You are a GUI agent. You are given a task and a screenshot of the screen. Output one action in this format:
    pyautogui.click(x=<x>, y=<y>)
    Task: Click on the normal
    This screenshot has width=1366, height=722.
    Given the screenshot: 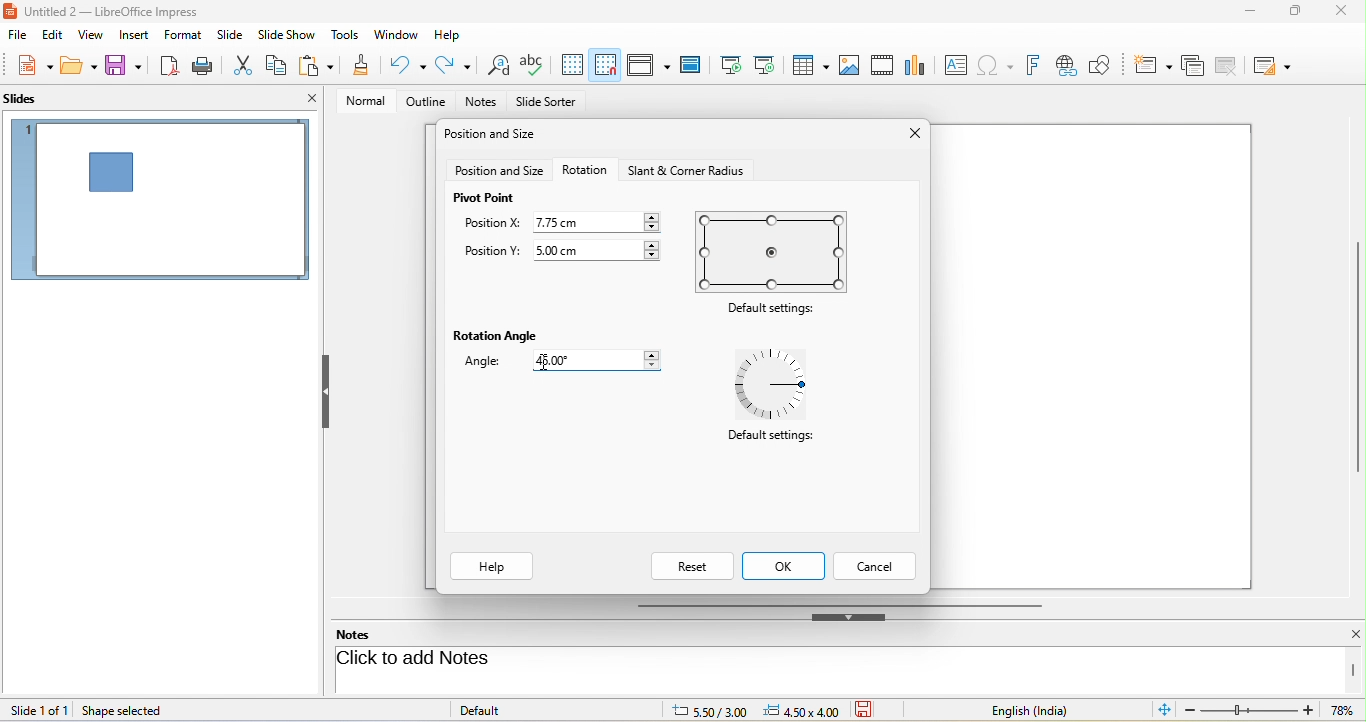 What is the action you would take?
    pyautogui.click(x=359, y=100)
    